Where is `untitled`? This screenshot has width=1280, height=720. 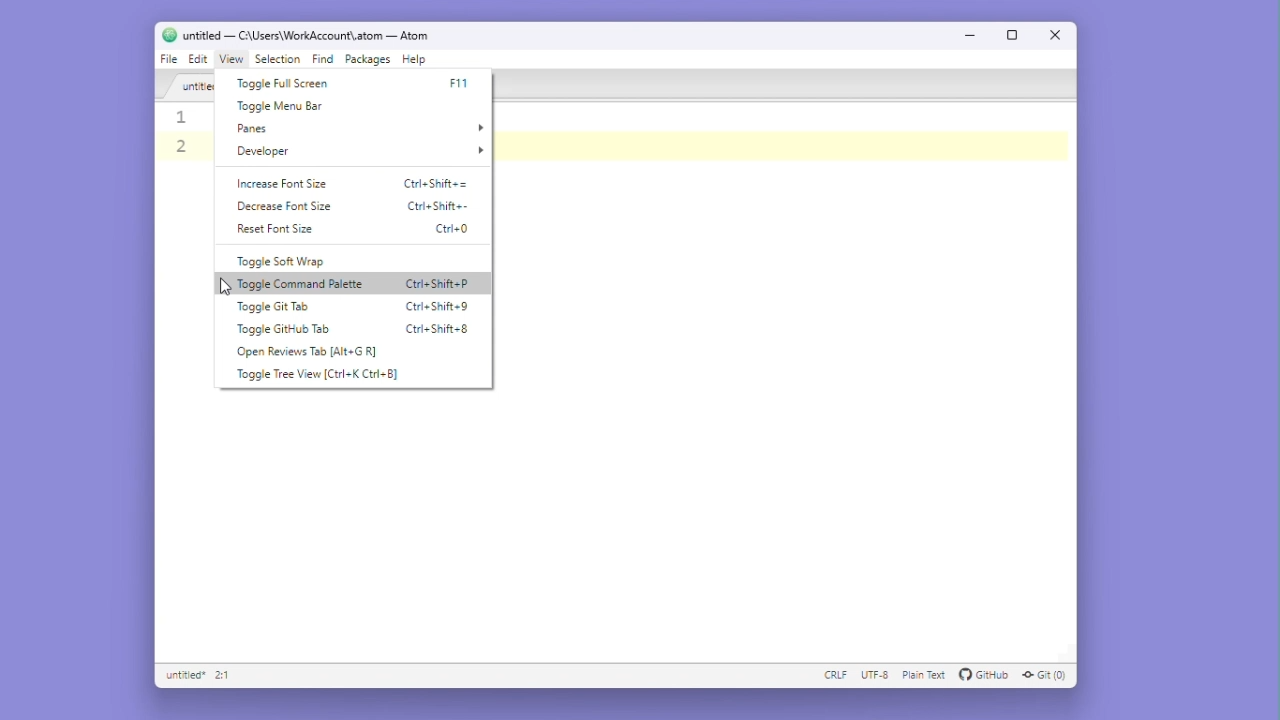
untitled is located at coordinates (186, 85).